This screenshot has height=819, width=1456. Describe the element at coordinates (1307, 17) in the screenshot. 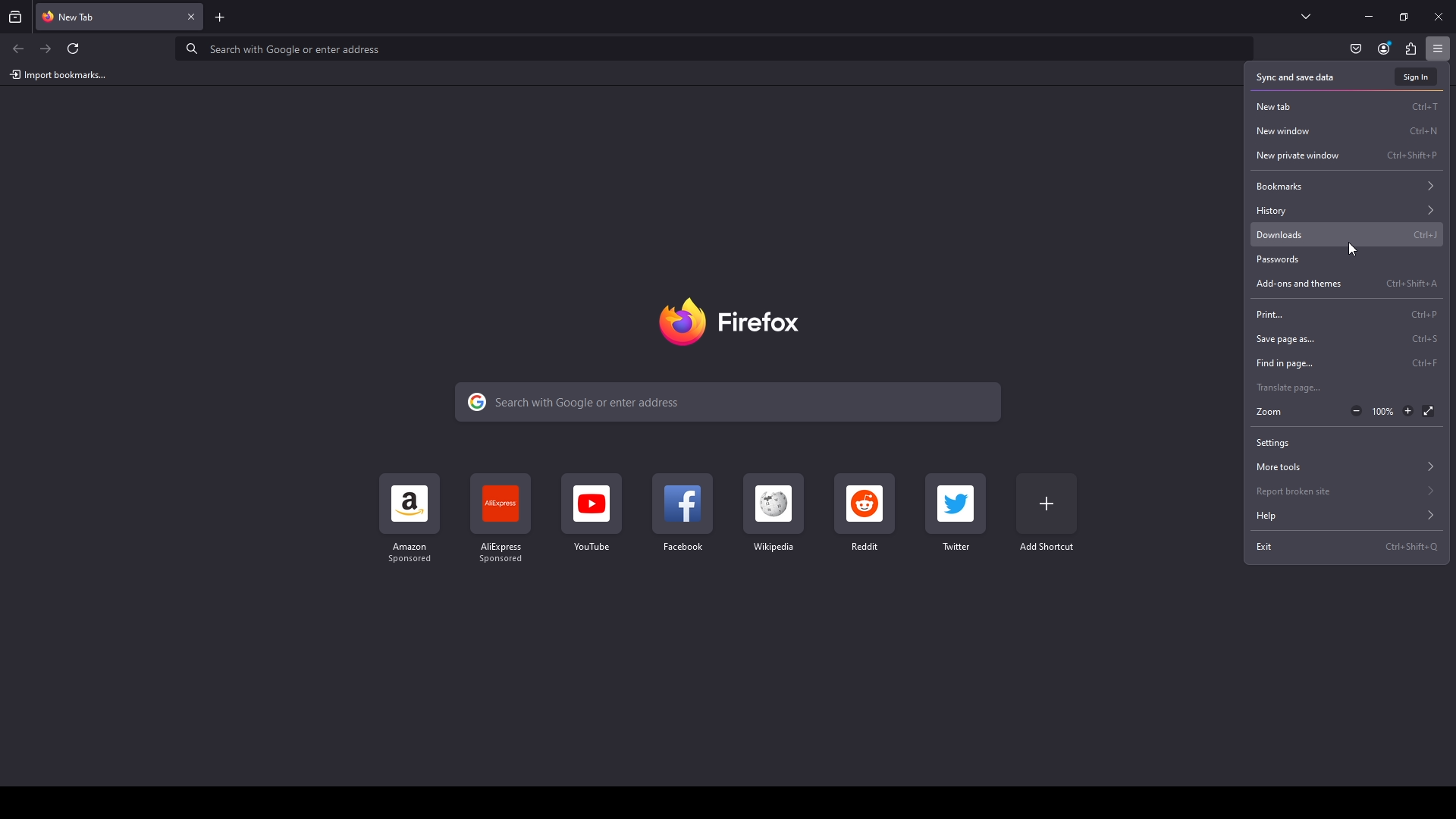

I see `List all tabs` at that location.